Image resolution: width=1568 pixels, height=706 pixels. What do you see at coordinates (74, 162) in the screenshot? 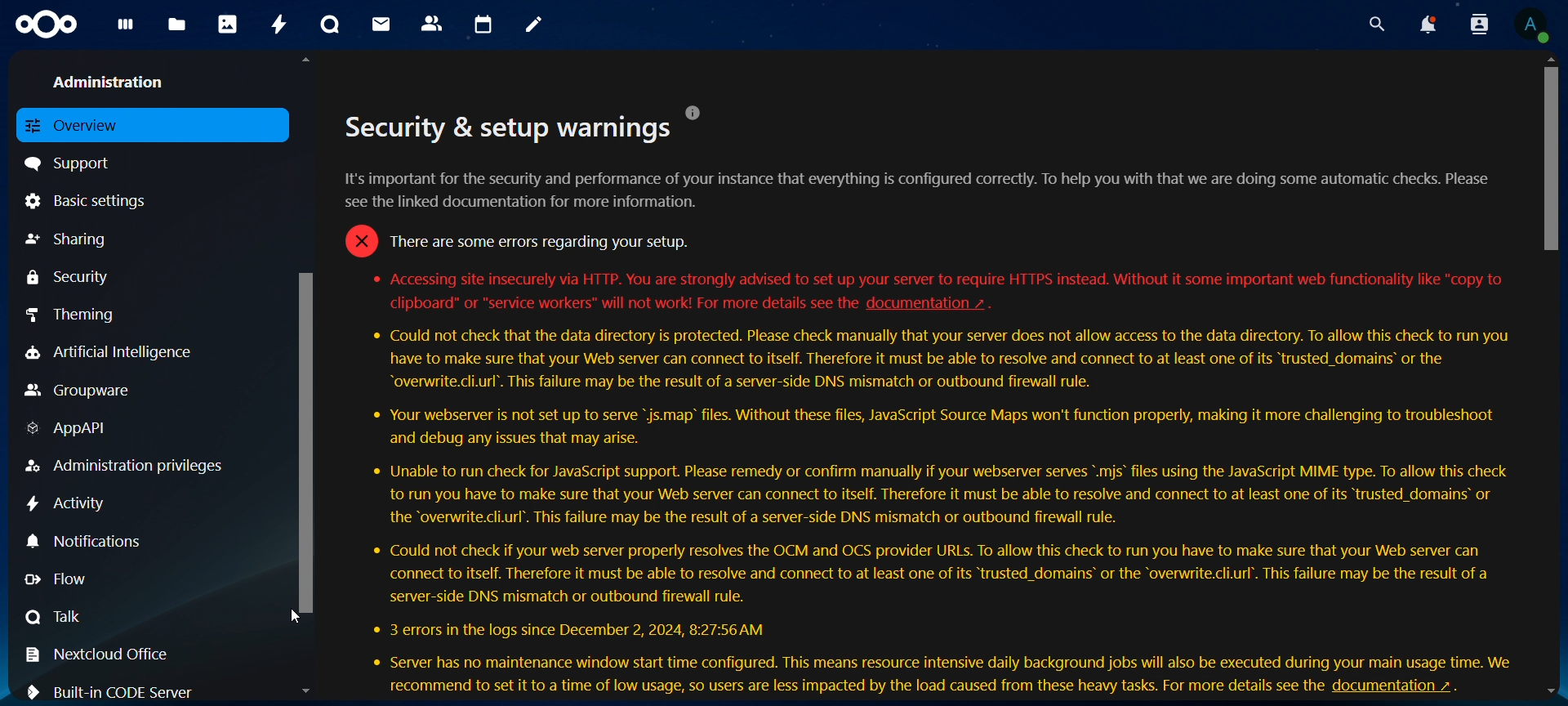
I see `support` at bounding box center [74, 162].